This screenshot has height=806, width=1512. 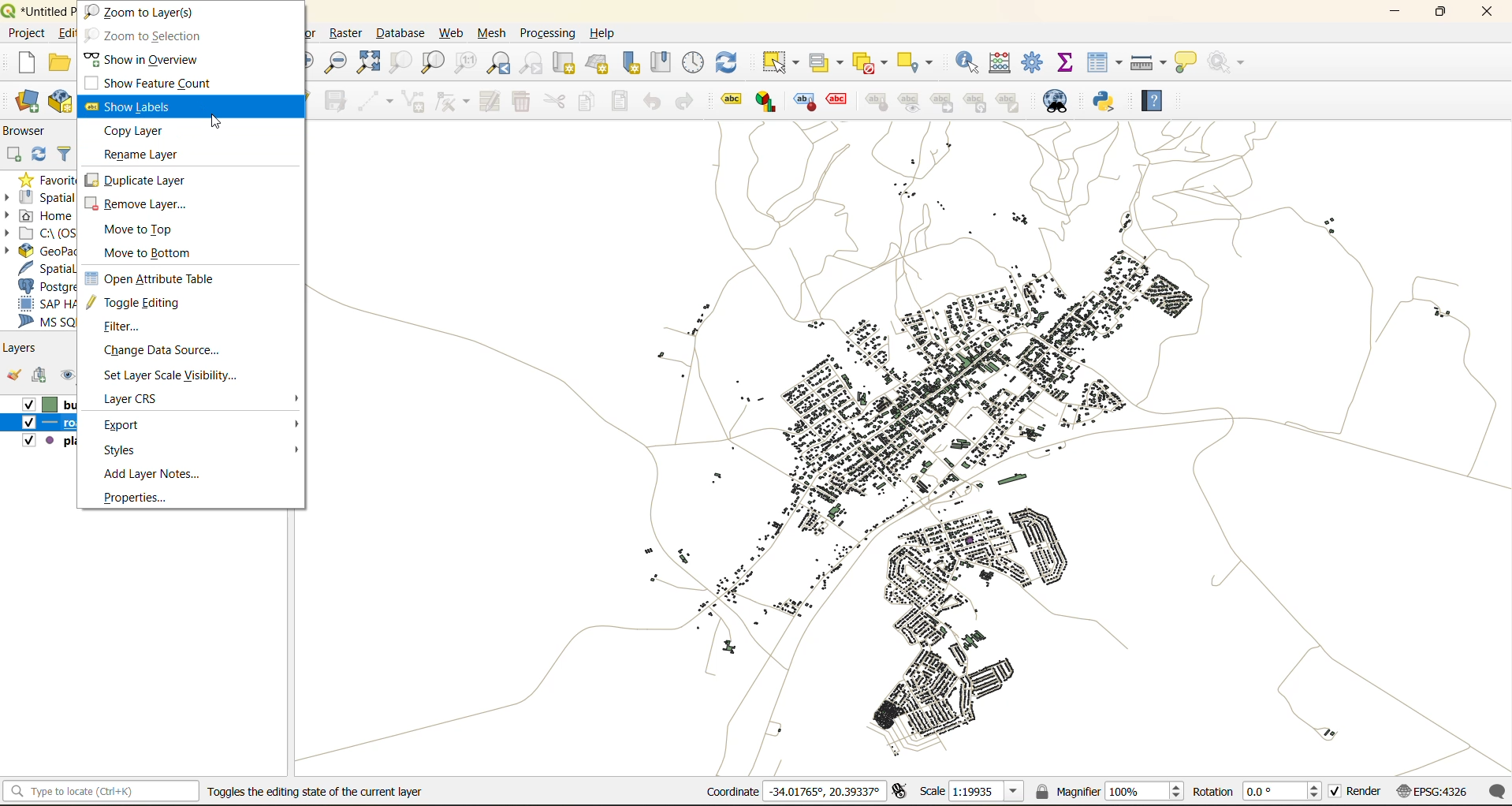 I want to click on toggle the editing state of current layer, so click(x=315, y=791).